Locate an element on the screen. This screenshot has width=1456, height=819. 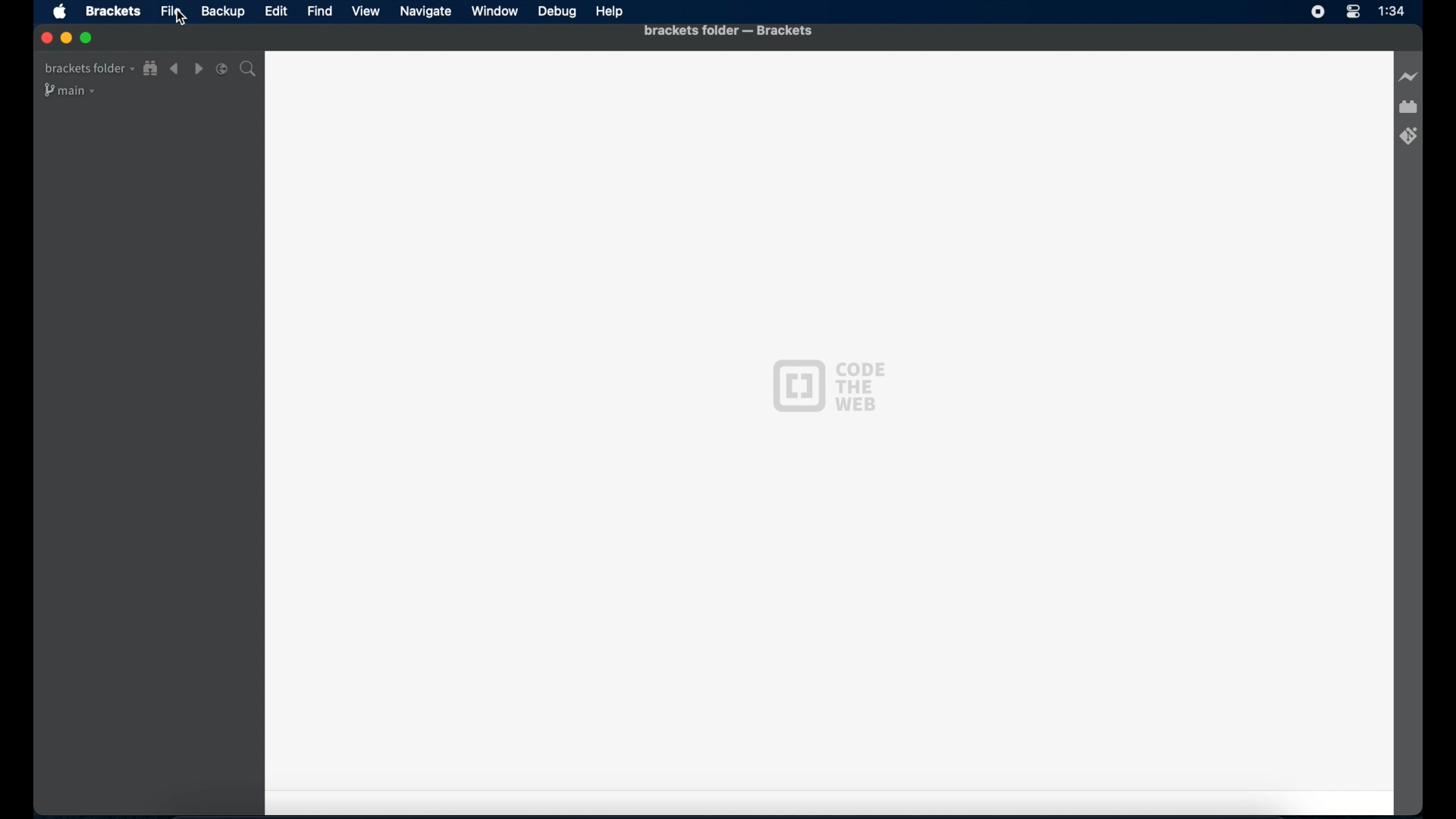
Search bar is located at coordinates (248, 69).